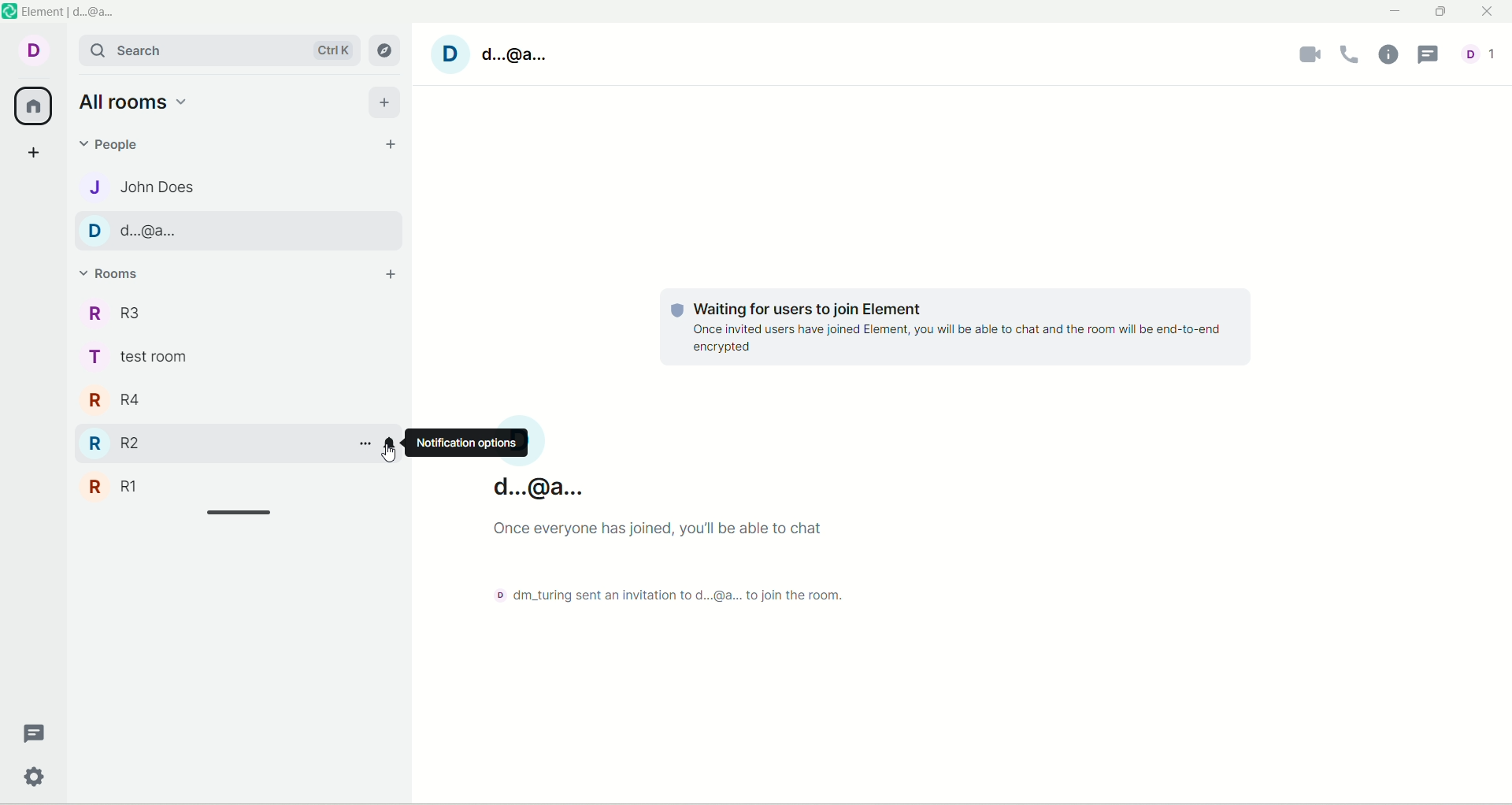 This screenshot has width=1512, height=805. What do you see at coordinates (75, 11) in the screenshot?
I see `element` at bounding box center [75, 11].